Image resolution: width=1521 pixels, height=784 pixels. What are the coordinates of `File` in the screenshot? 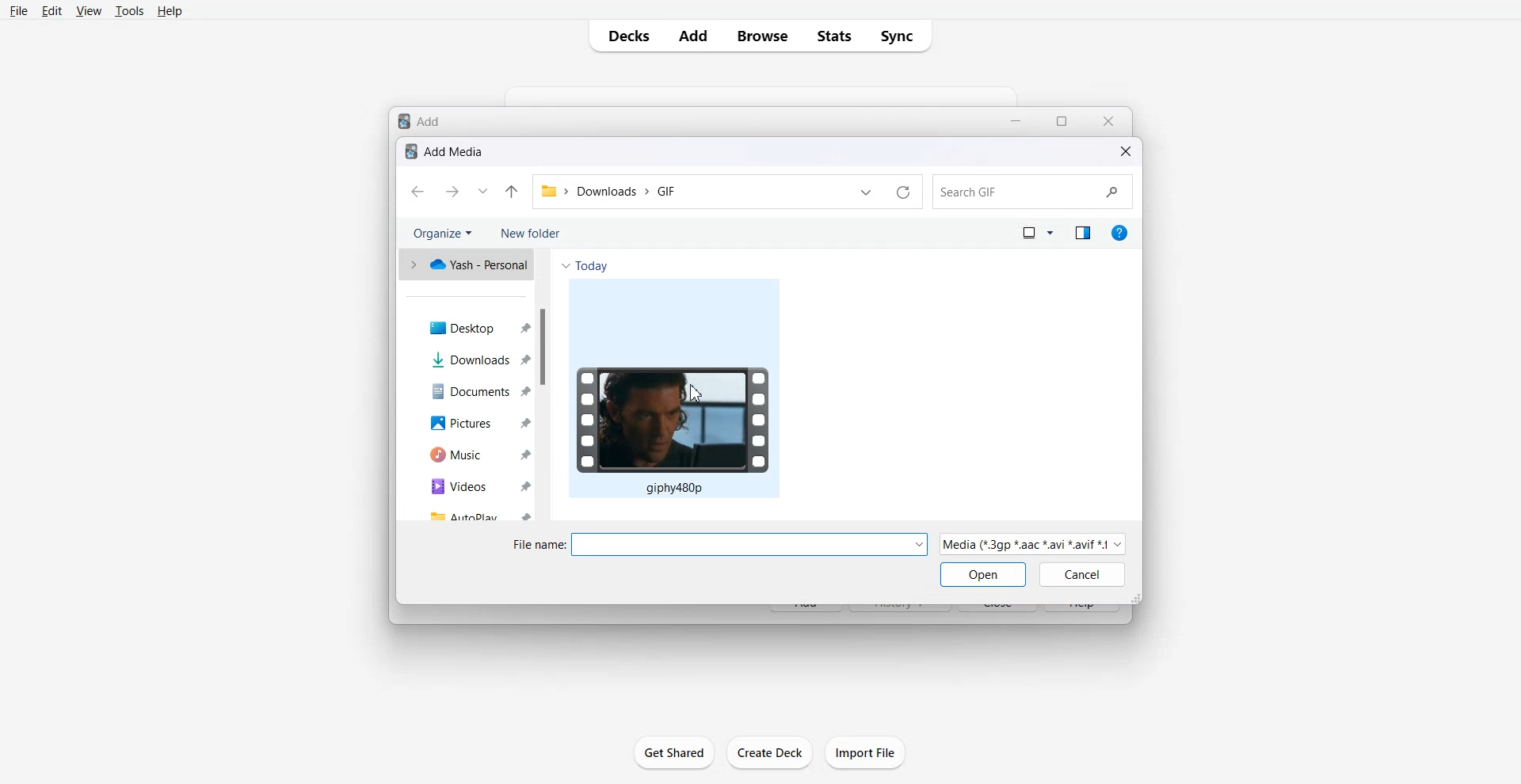 It's located at (19, 11).